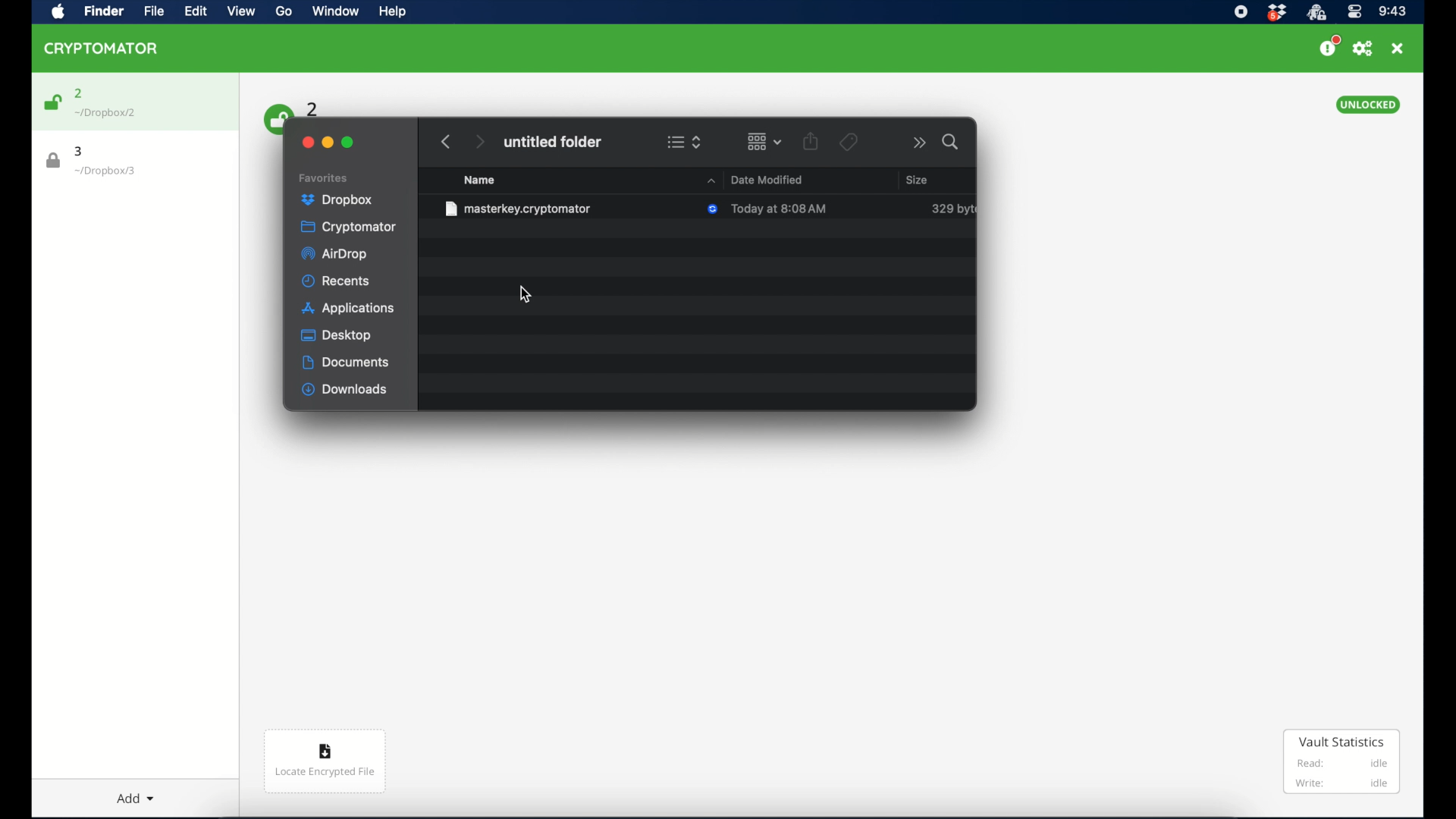 The width and height of the screenshot is (1456, 819). Describe the element at coordinates (346, 362) in the screenshot. I see `documents` at that location.